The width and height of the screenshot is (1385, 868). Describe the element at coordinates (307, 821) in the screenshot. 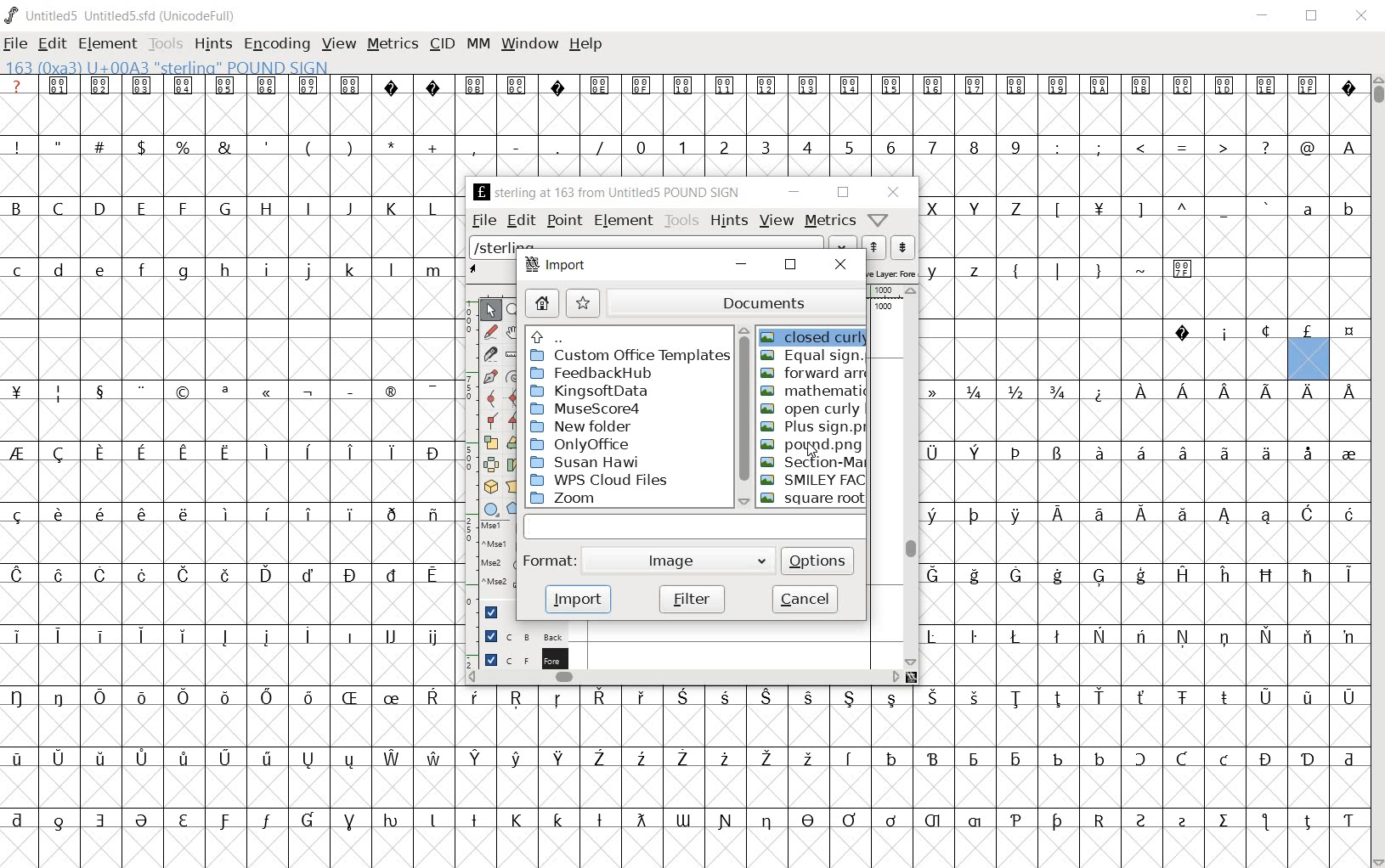

I see `Symbol` at that location.